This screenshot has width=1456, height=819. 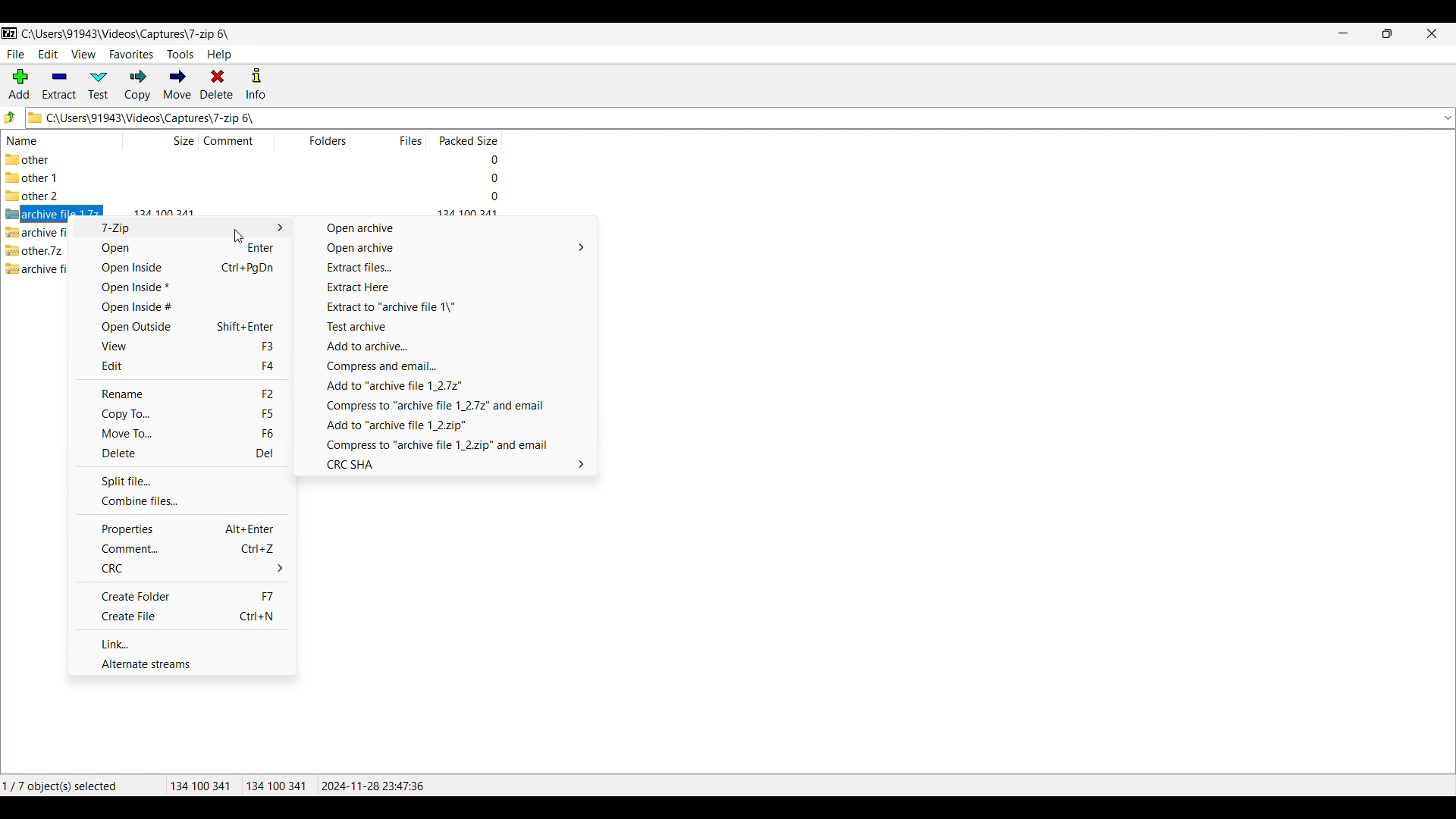 What do you see at coordinates (1344, 33) in the screenshot?
I see `Minimize` at bounding box center [1344, 33].